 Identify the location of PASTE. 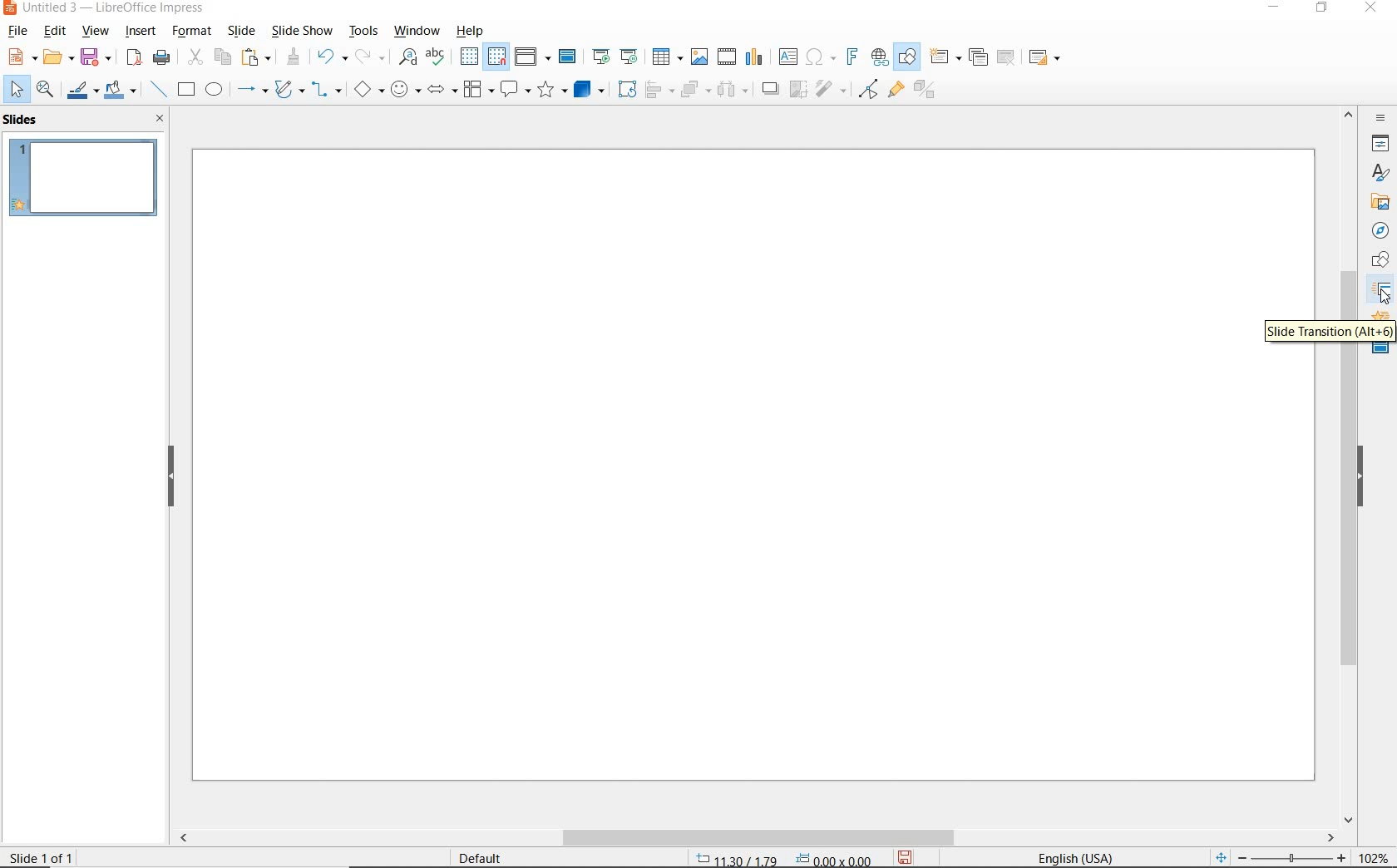
(254, 58).